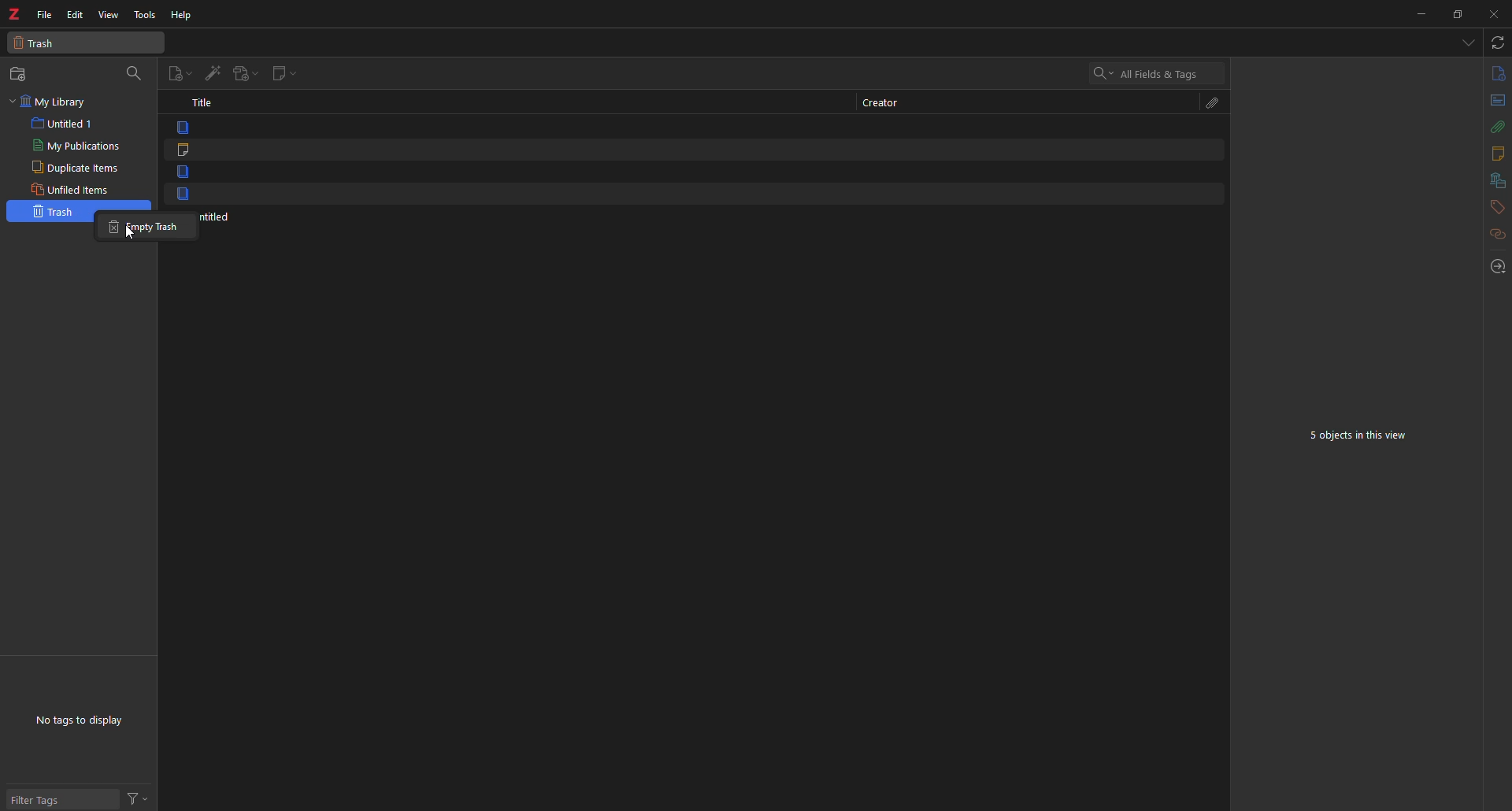 This screenshot has width=1512, height=811. What do you see at coordinates (1497, 180) in the screenshot?
I see `library` at bounding box center [1497, 180].